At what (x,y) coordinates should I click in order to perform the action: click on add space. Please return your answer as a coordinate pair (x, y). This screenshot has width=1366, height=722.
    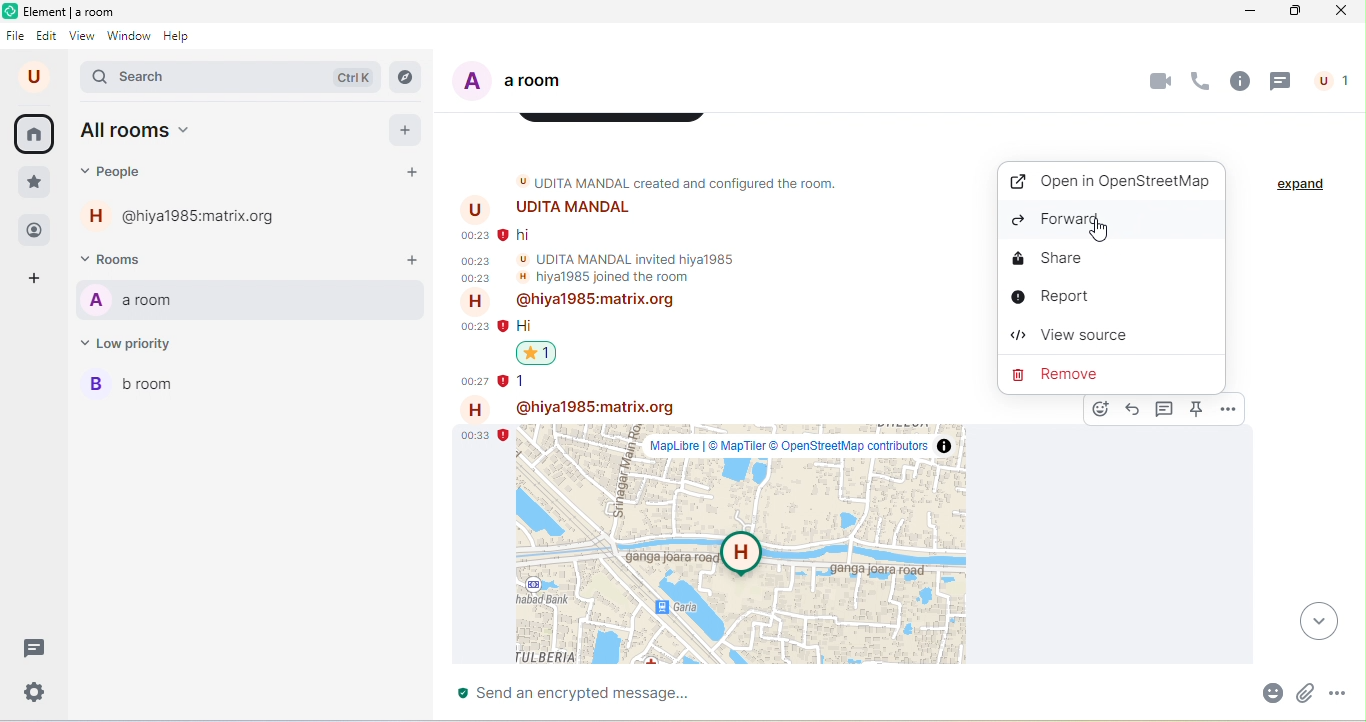
    Looking at the image, I should click on (37, 280).